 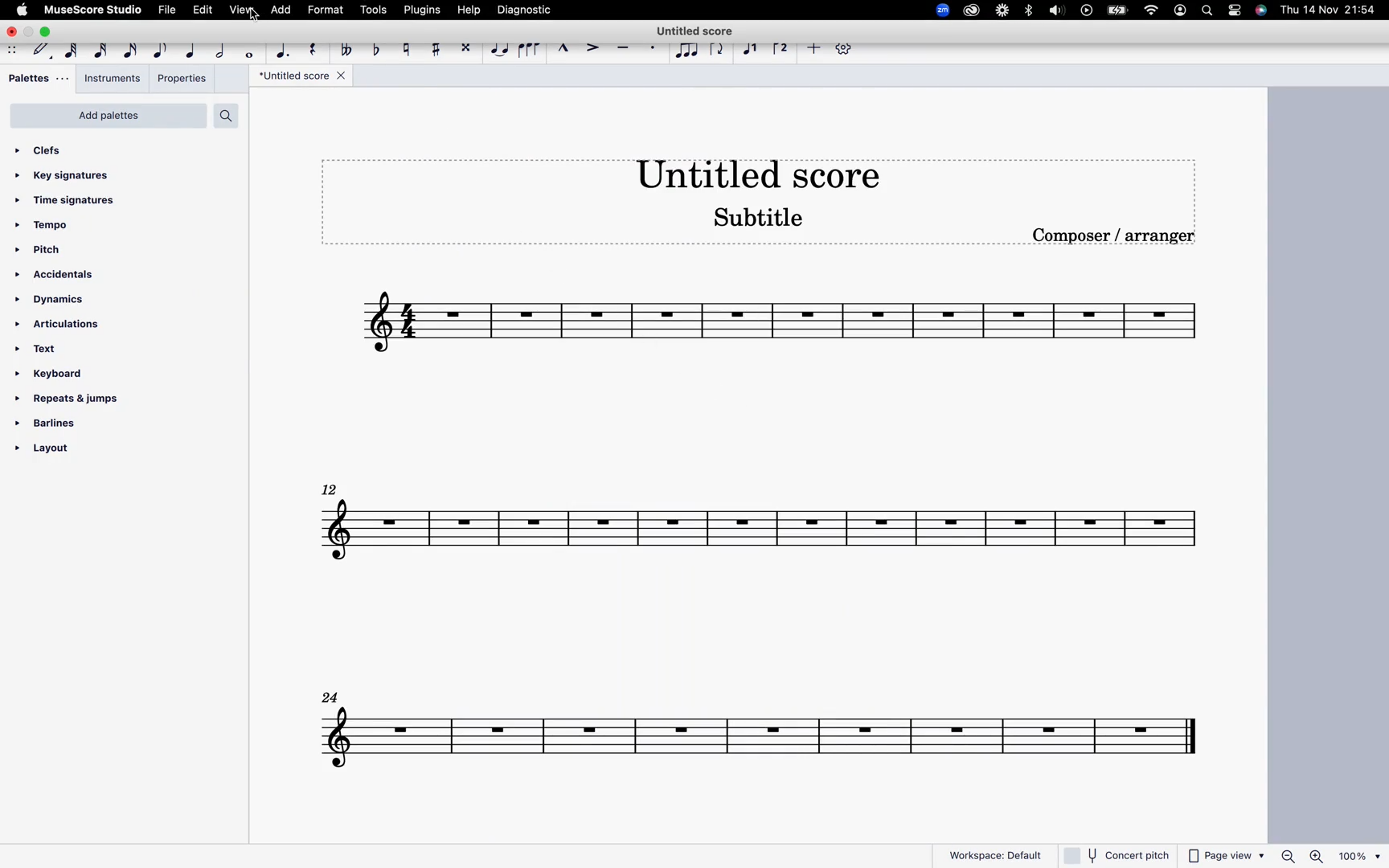 What do you see at coordinates (762, 171) in the screenshot?
I see `score title` at bounding box center [762, 171].